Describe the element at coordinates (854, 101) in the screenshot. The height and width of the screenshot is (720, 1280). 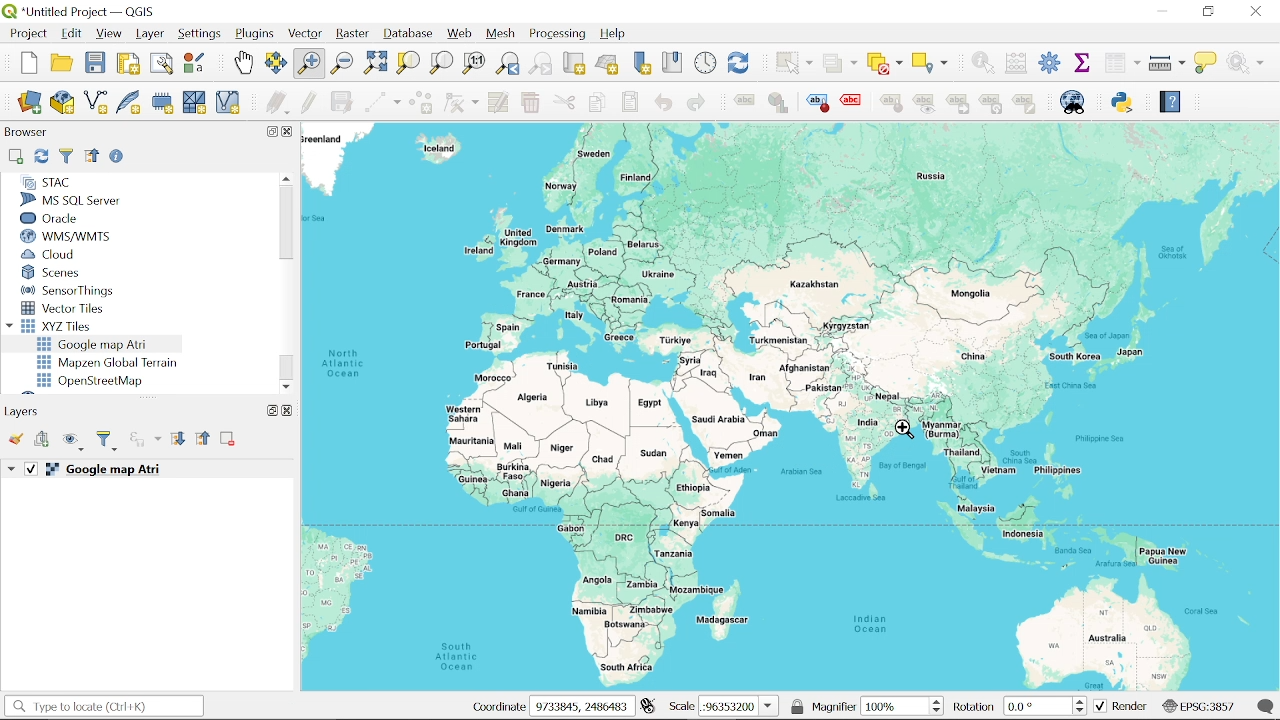
I see `Toggle display` at that location.